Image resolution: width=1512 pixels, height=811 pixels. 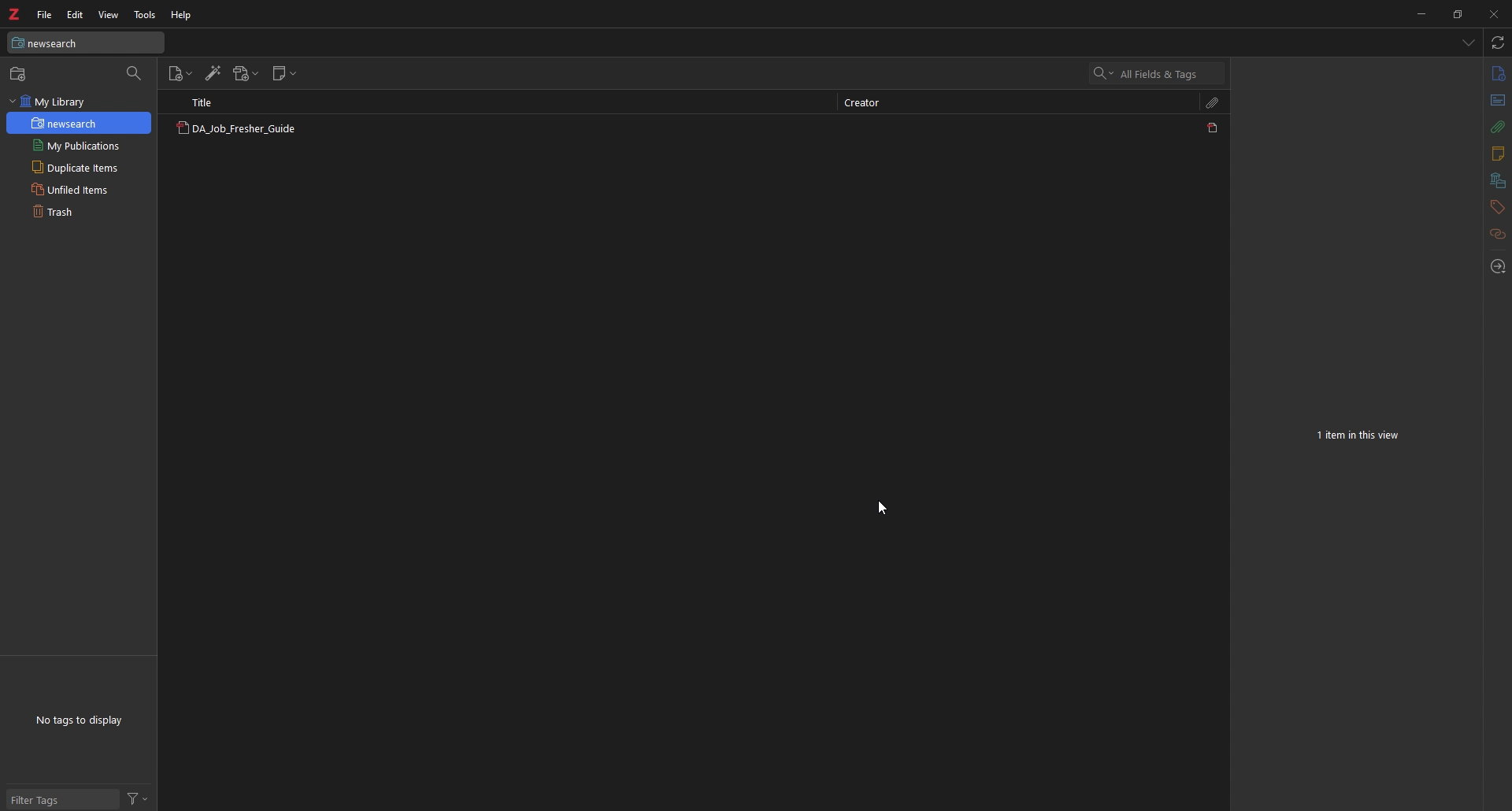 I want to click on view, so click(x=108, y=15).